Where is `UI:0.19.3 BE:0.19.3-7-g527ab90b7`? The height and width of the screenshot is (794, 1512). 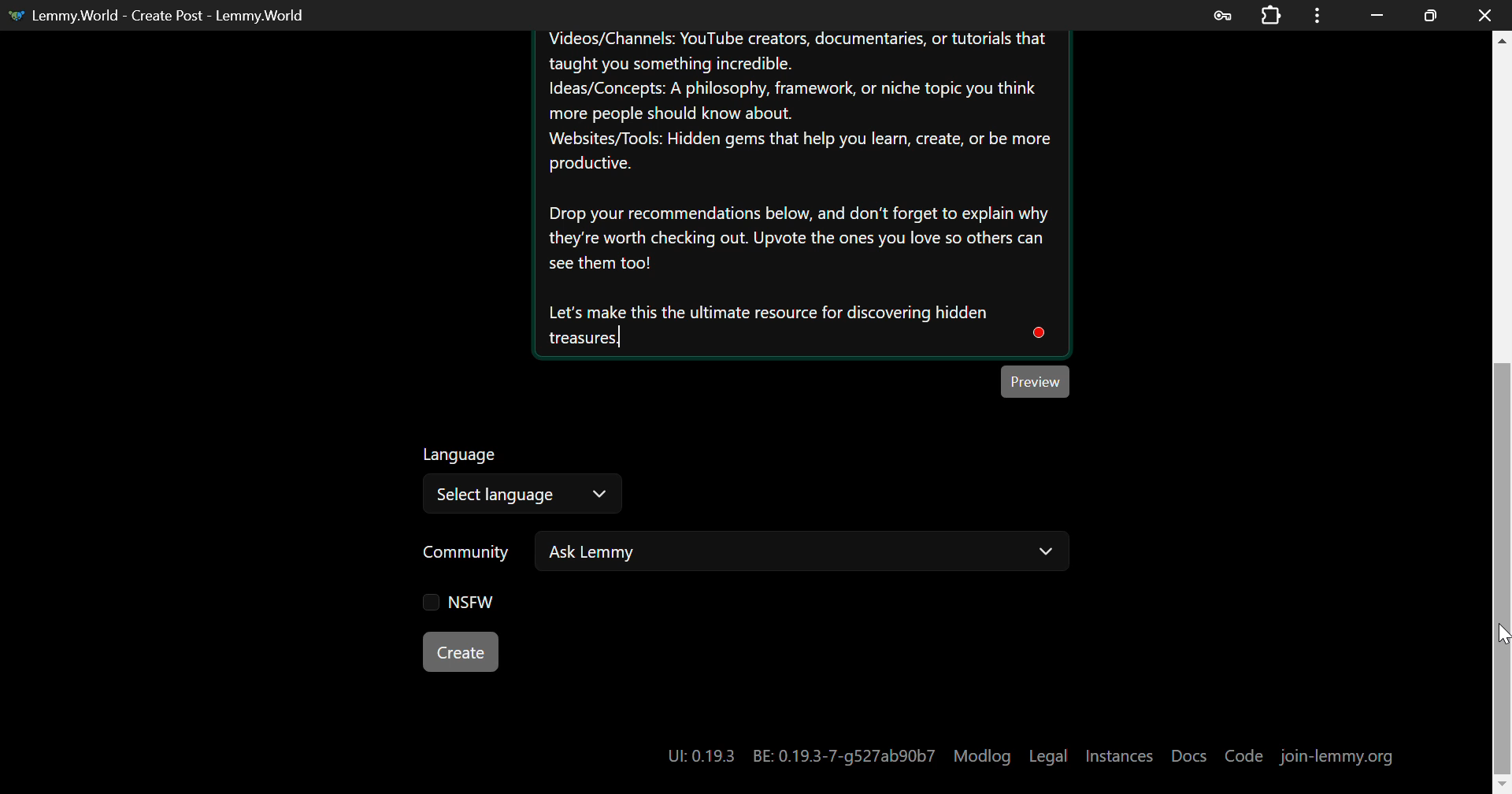
UI:0.19.3 BE:0.19.3-7-g527ab90b7 is located at coordinates (799, 756).